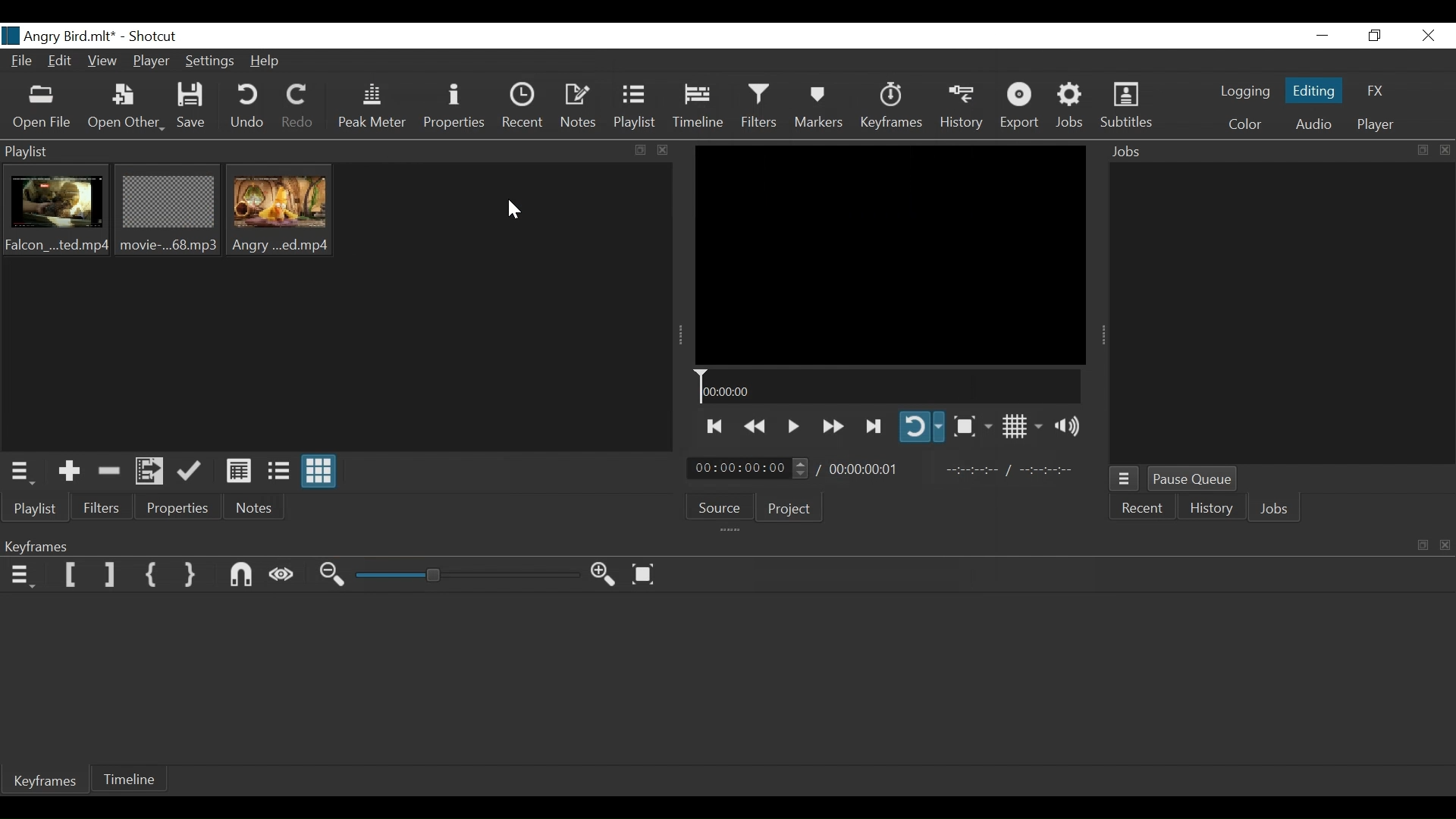 The height and width of the screenshot is (819, 1456). Describe the element at coordinates (699, 109) in the screenshot. I see `Timeline` at that location.